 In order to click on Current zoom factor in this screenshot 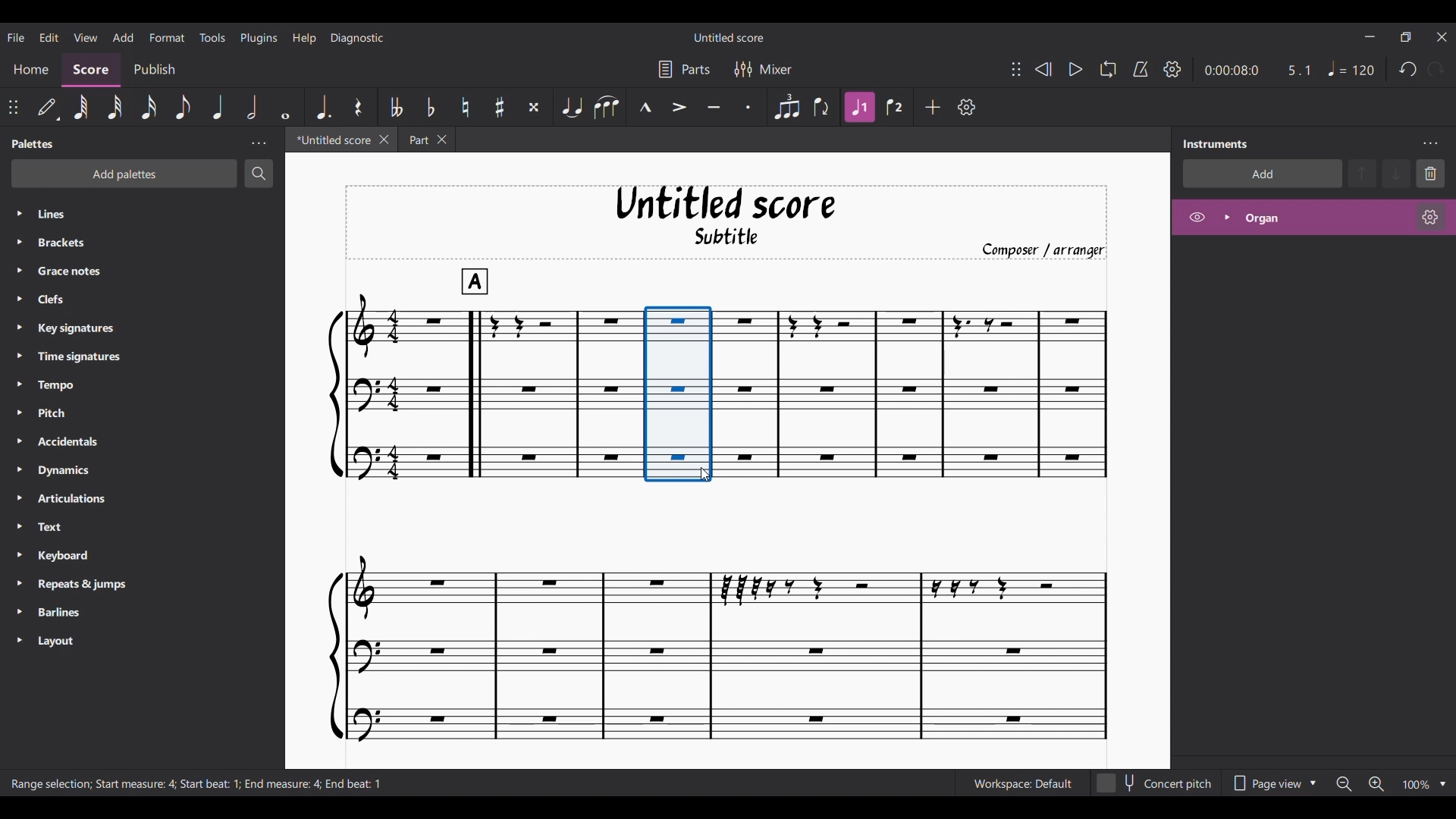, I will do `click(1417, 785)`.